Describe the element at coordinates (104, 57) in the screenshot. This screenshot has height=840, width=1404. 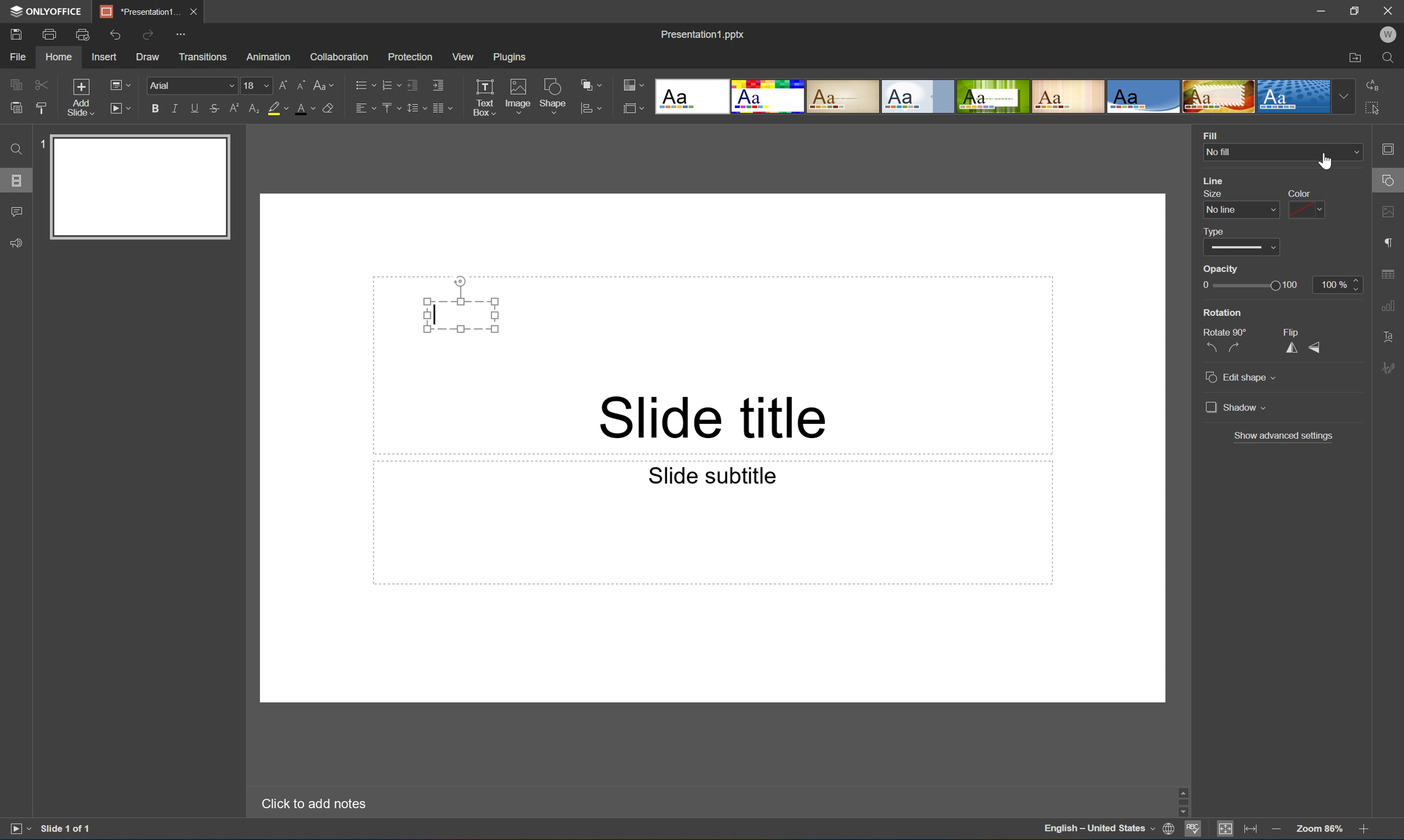
I see `Insert` at that location.